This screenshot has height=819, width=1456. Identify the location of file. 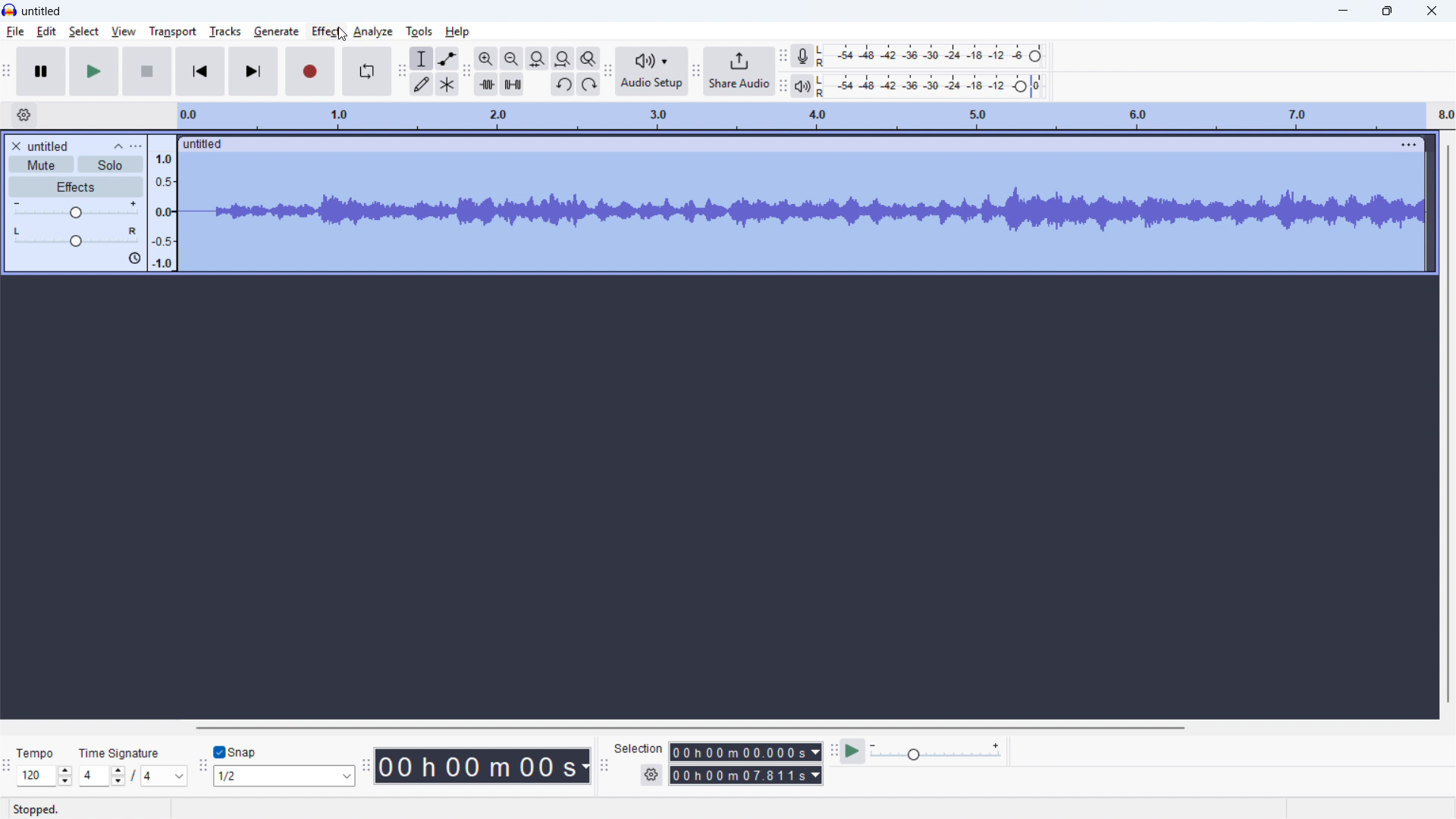
(16, 32).